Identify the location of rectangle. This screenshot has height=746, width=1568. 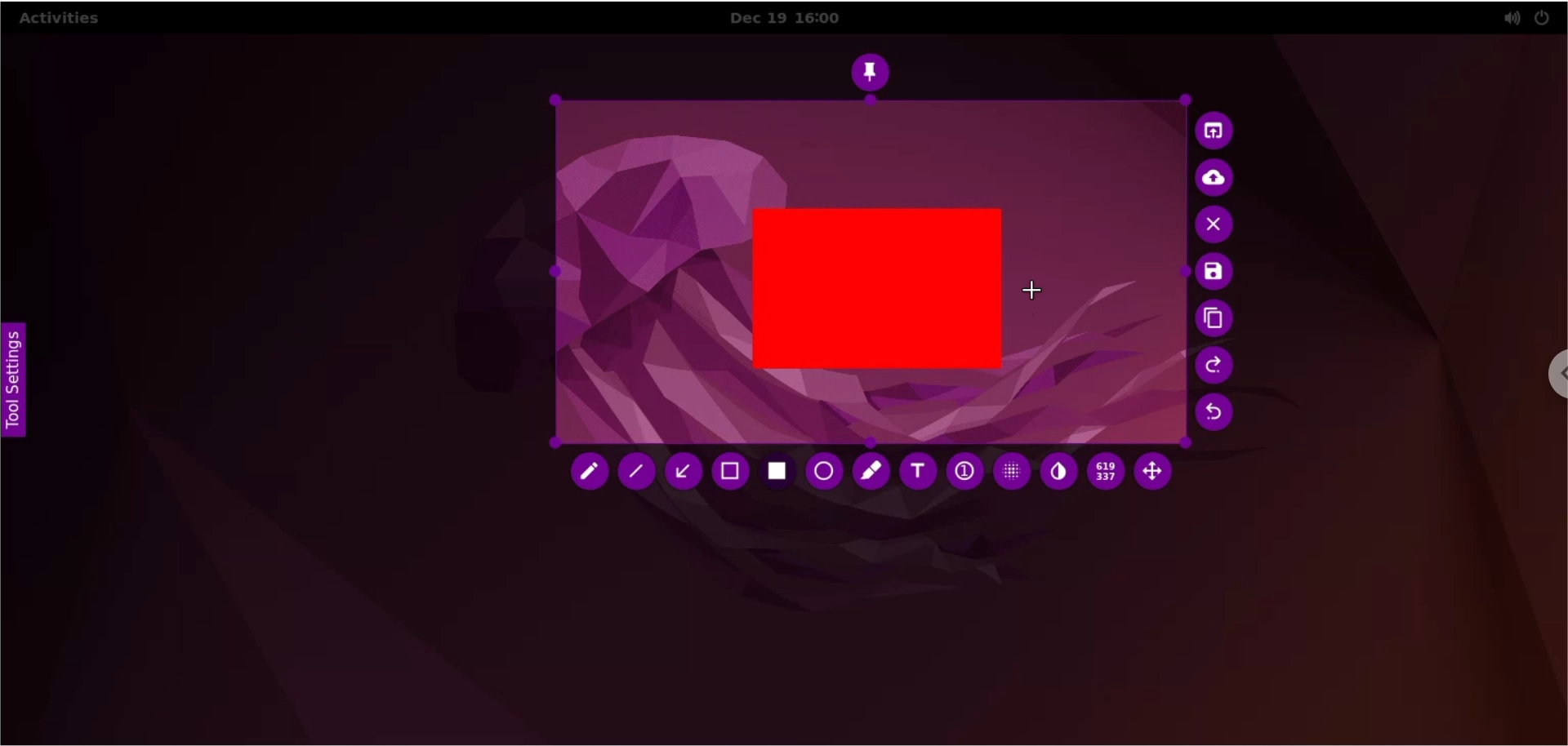
(876, 286).